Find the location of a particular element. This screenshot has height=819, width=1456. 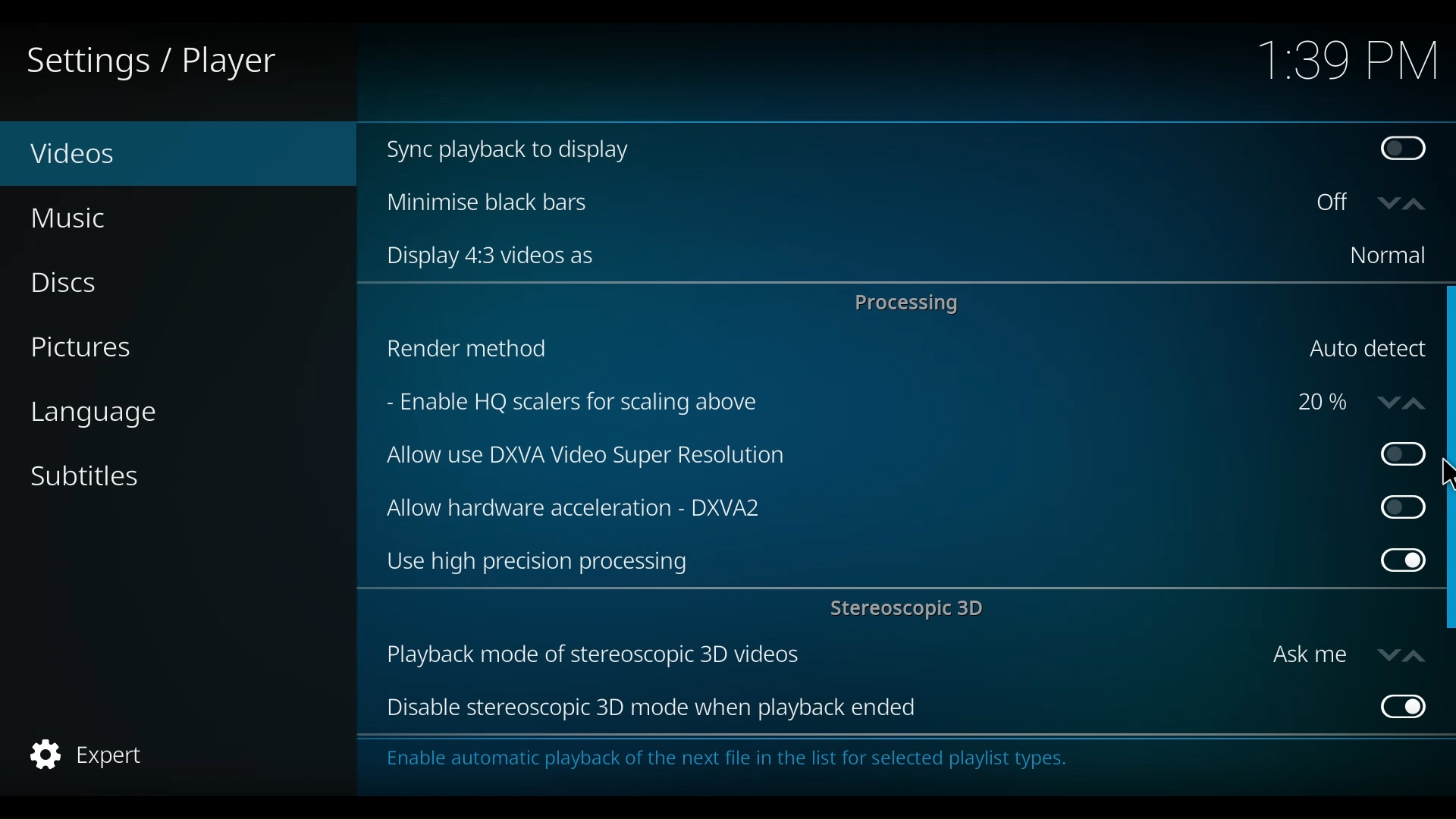

Allow use DXVA Video Super Resolution is located at coordinates (867, 457).